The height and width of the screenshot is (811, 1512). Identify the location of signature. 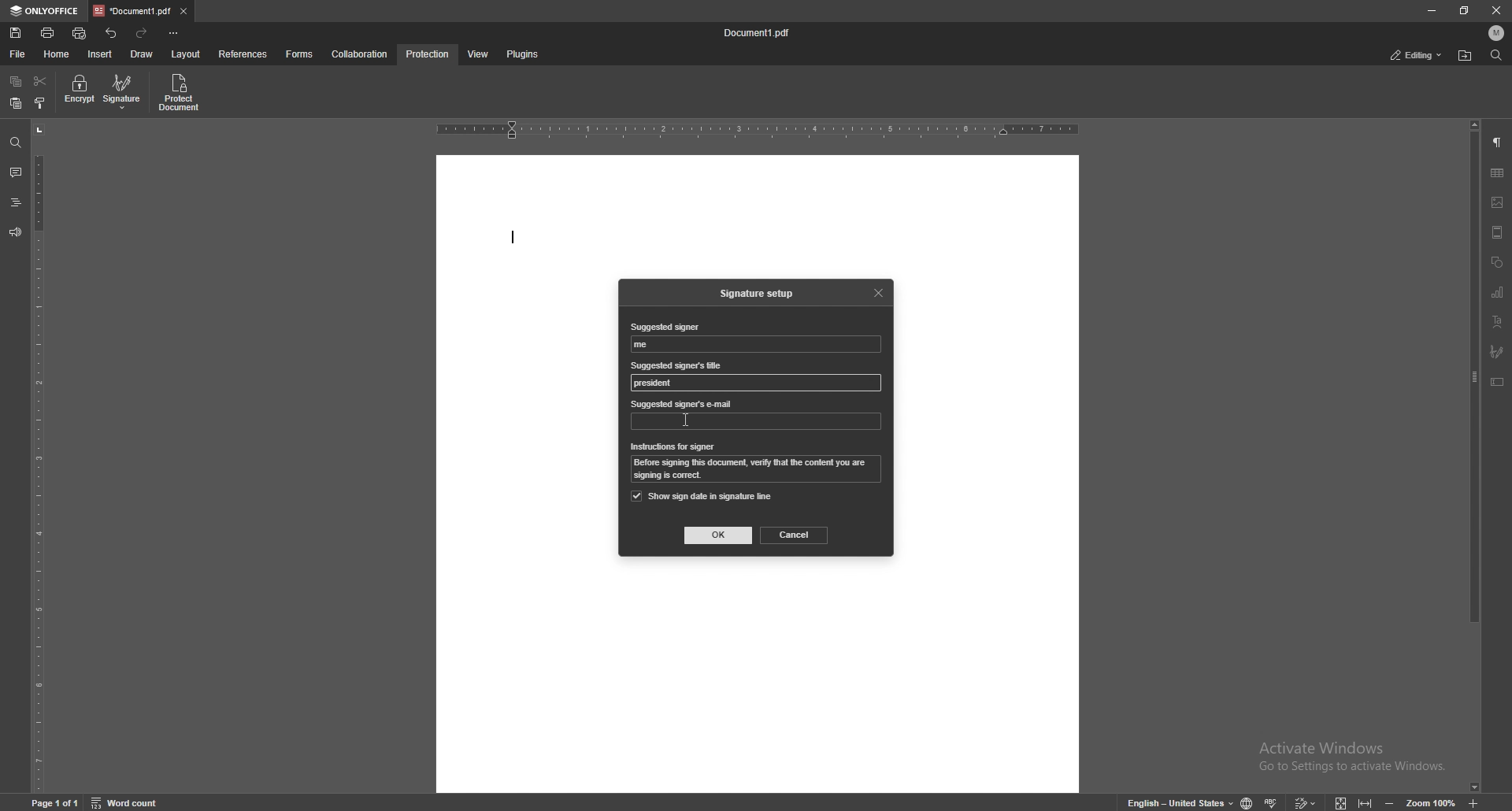
(124, 91).